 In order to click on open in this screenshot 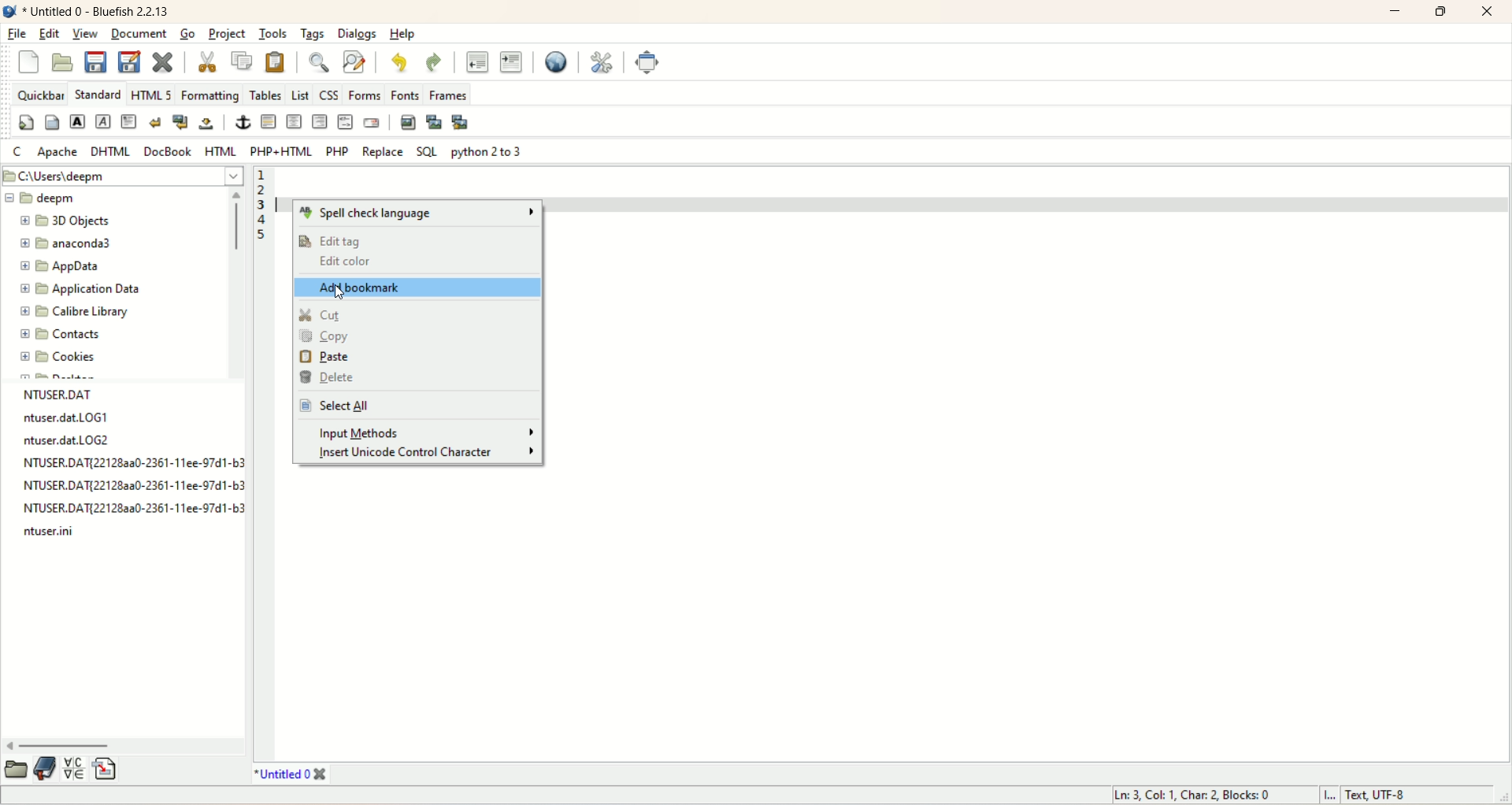, I will do `click(13, 773)`.